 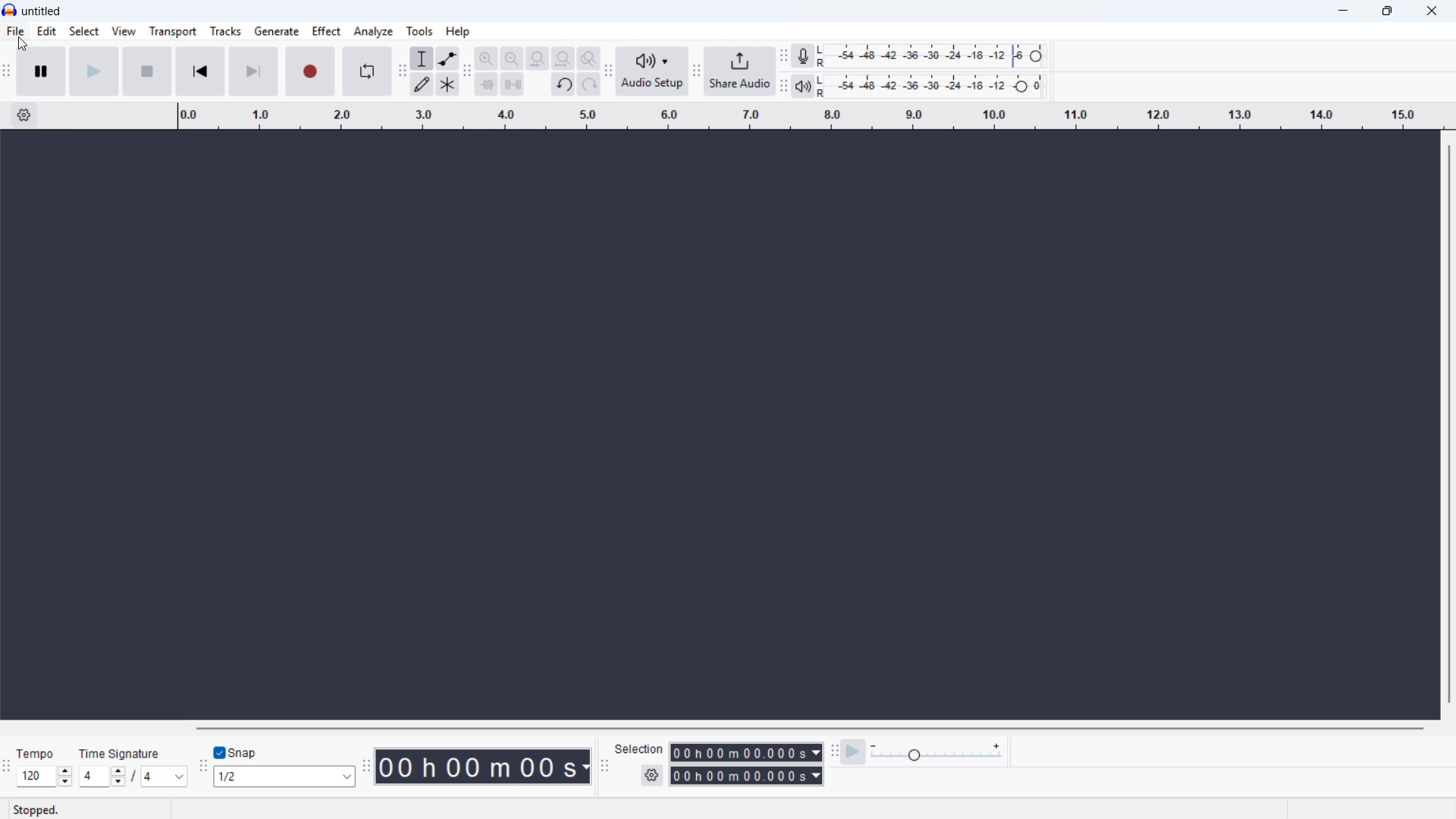 What do you see at coordinates (784, 87) in the screenshot?
I see `Playback metre toolbar ` at bounding box center [784, 87].